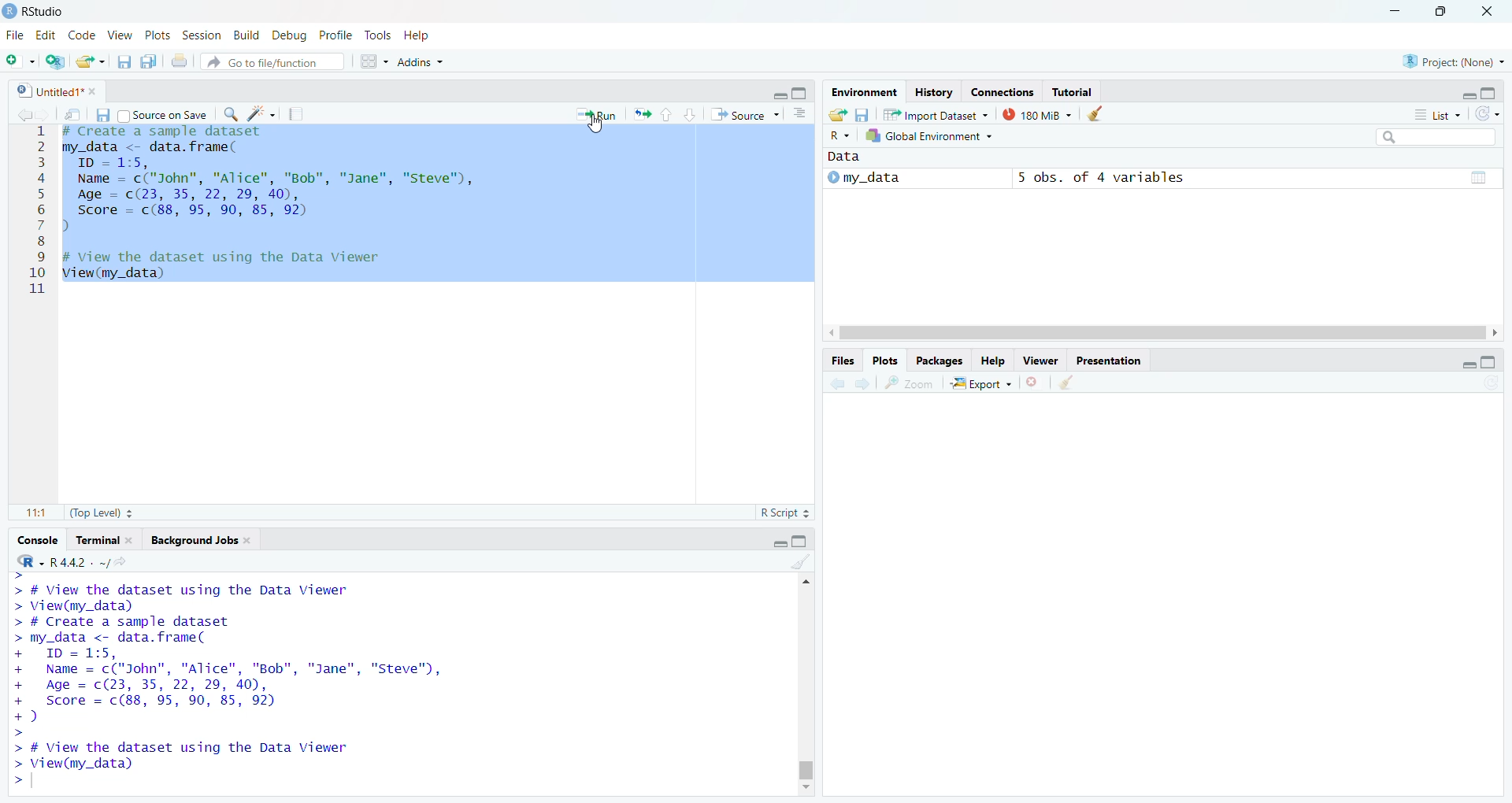 Image resolution: width=1512 pixels, height=803 pixels. What do you see at coordinates (837, 136) in the screenshot?
I see `R` at bounding box center [837, 136].